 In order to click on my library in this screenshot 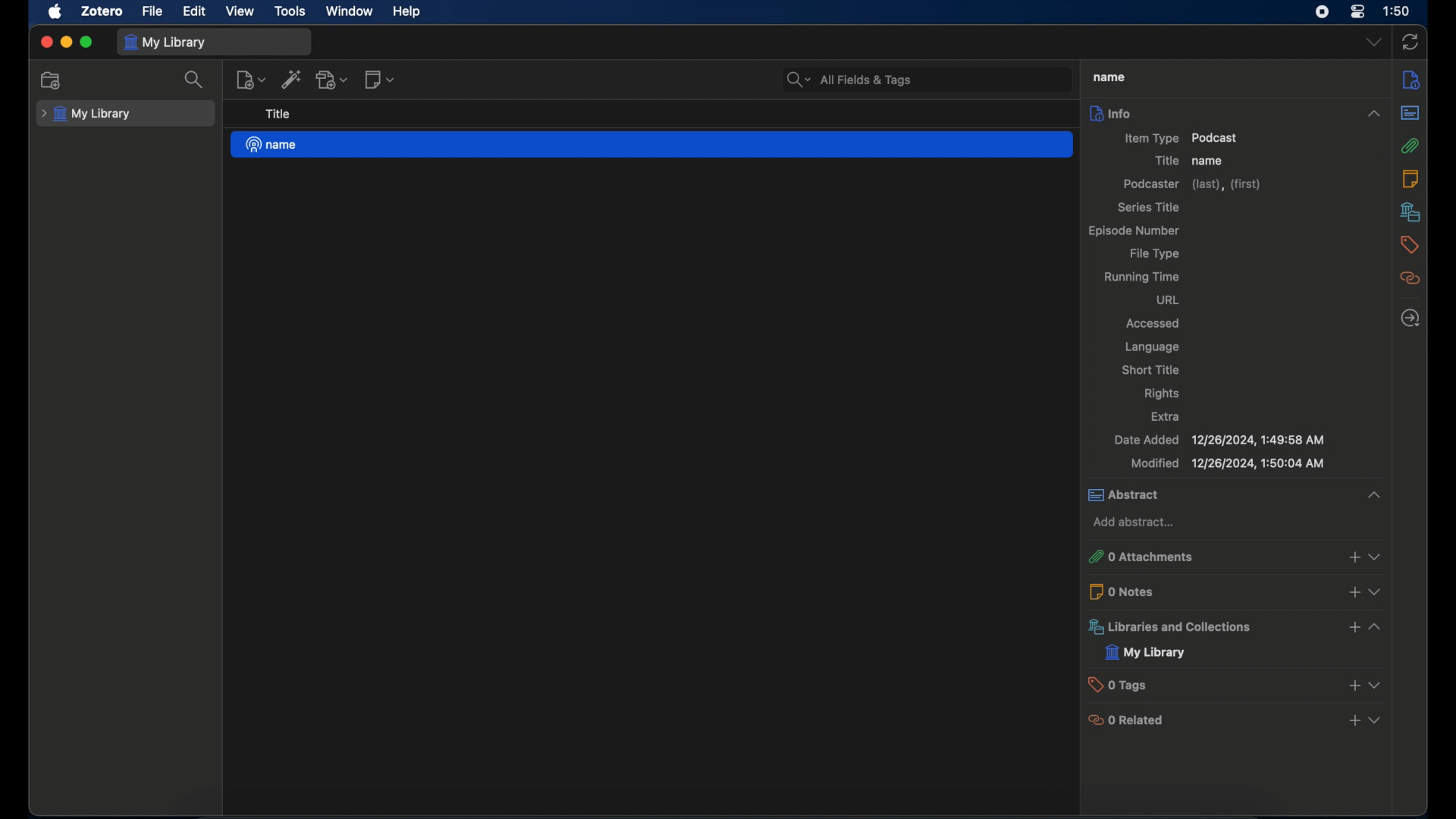, I will do `click(85, 115)`.